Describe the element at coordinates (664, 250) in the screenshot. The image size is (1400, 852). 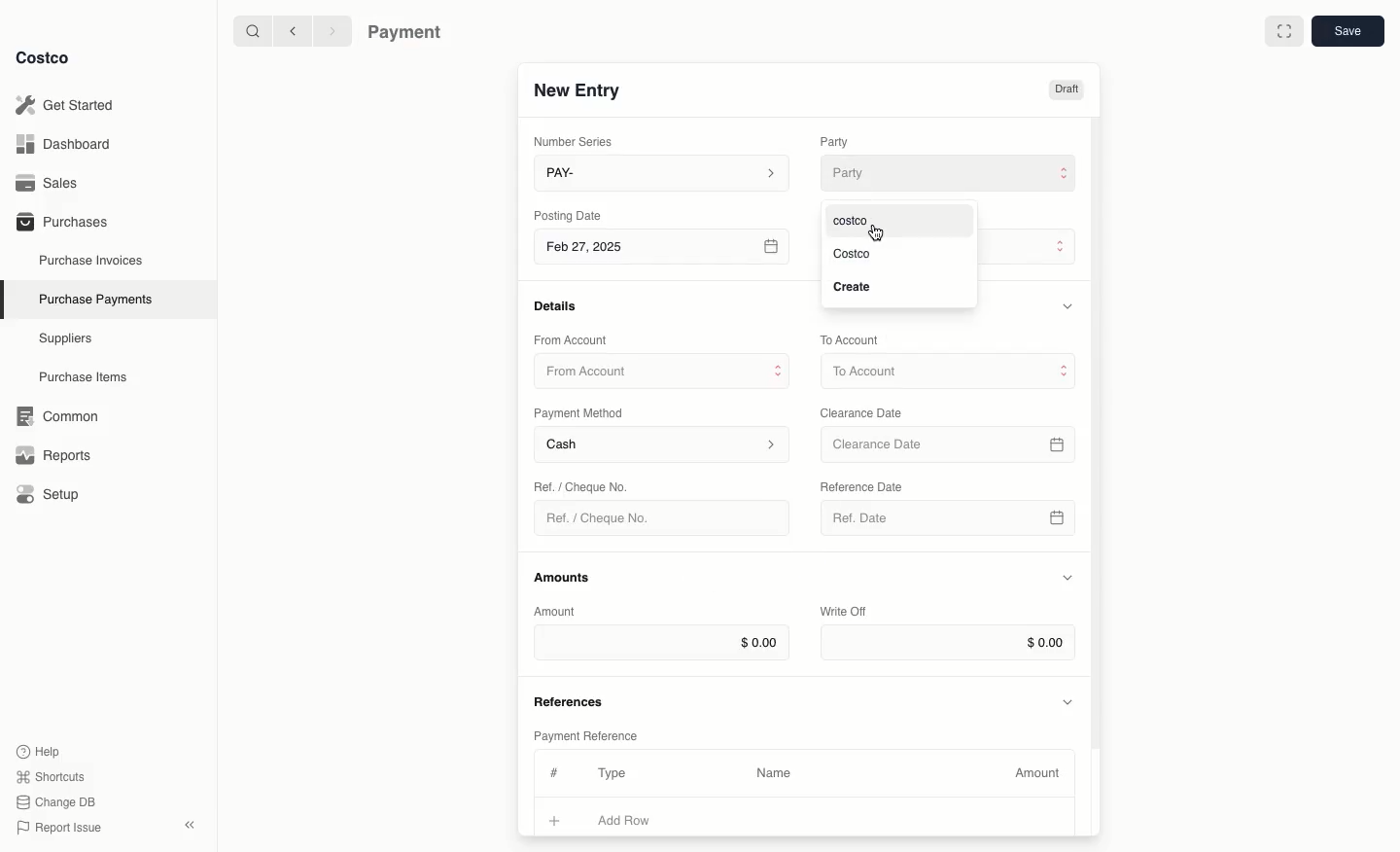
I see `Feb 27, 2025` at that location.